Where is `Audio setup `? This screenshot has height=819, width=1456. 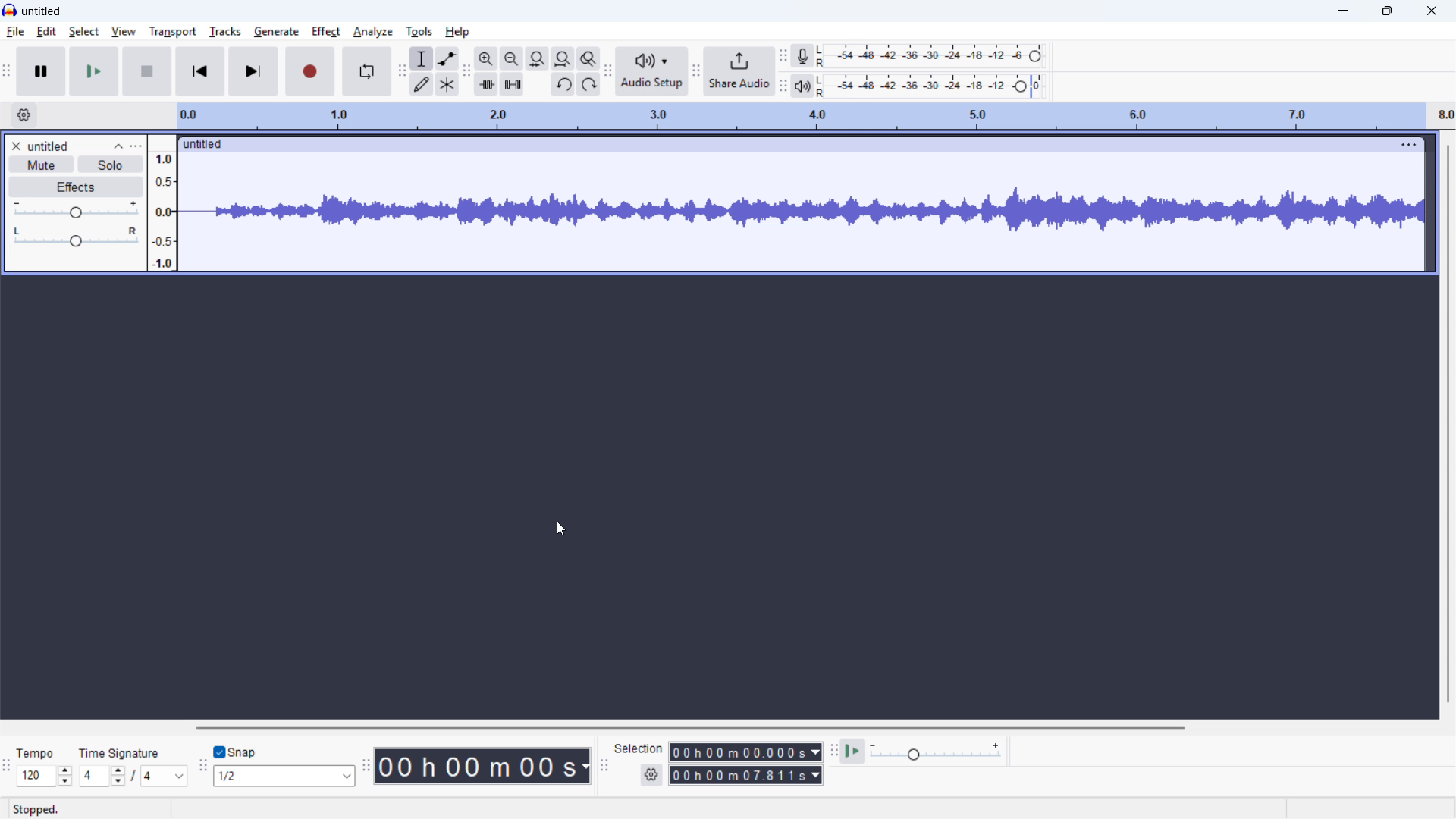
Audio setup  is located at coordinates (651, 71).